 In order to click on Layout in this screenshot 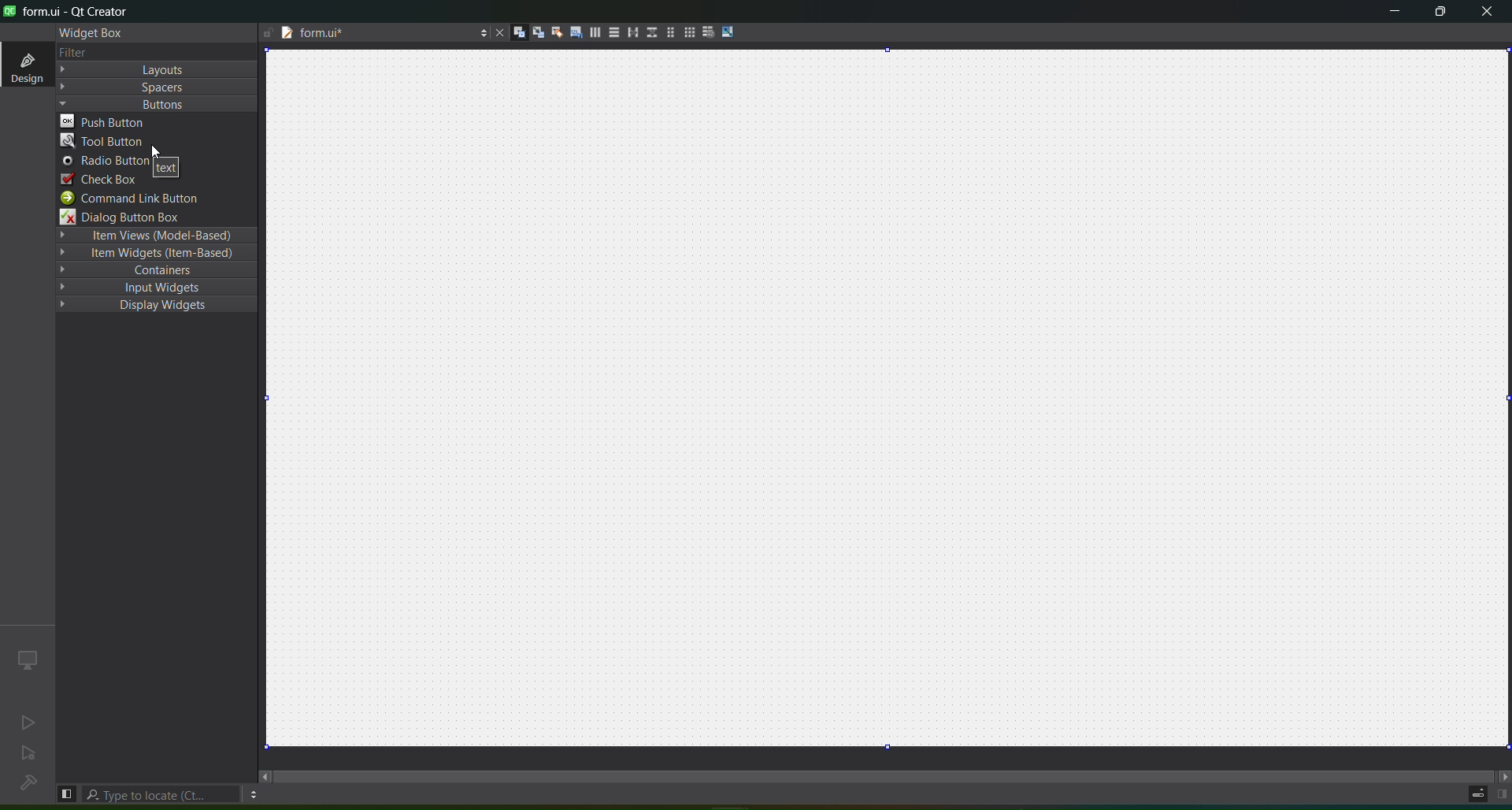, I will do `click(158, 69)`.